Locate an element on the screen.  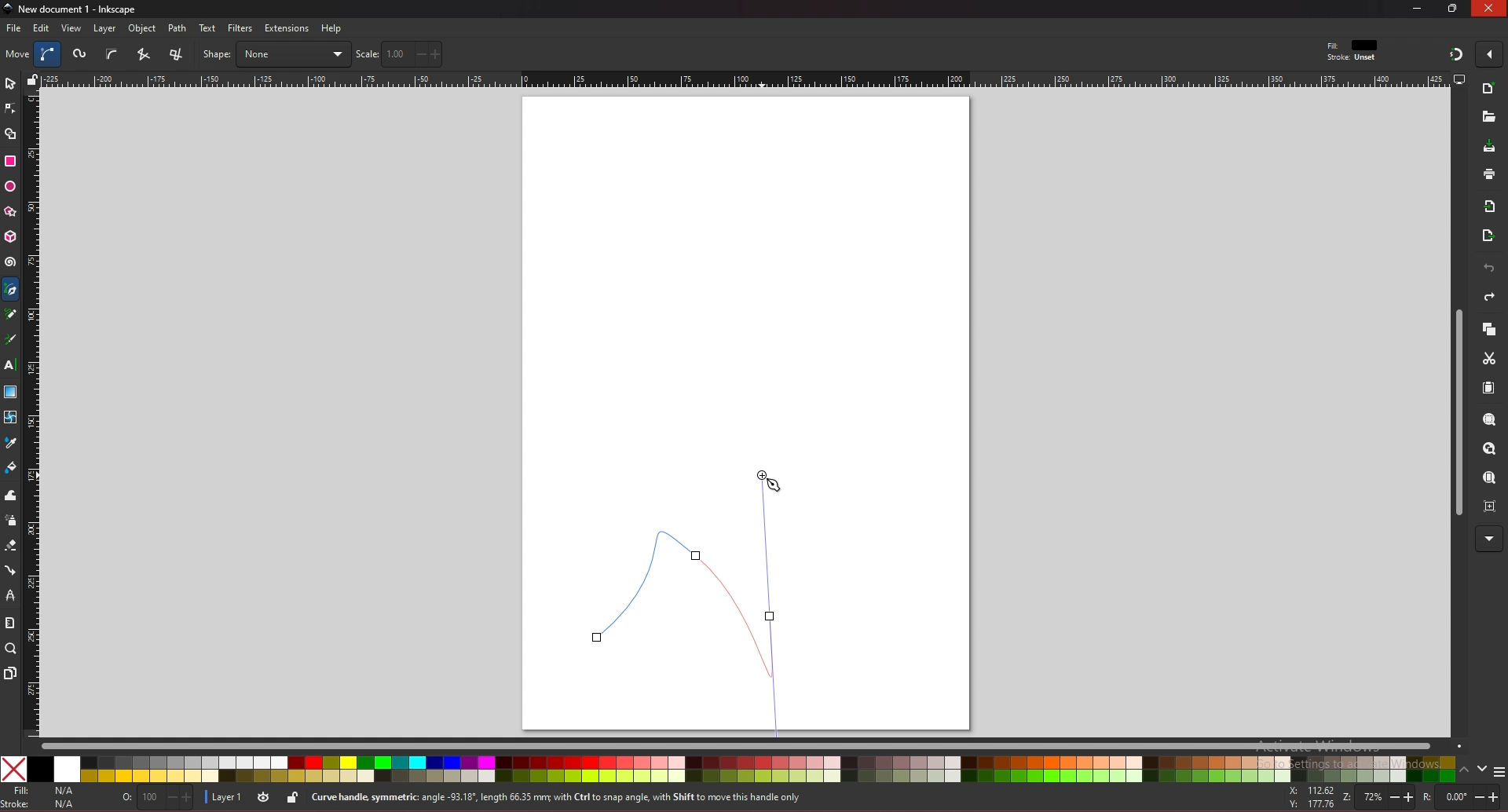
stroke is located at coordinates (1352, 58).